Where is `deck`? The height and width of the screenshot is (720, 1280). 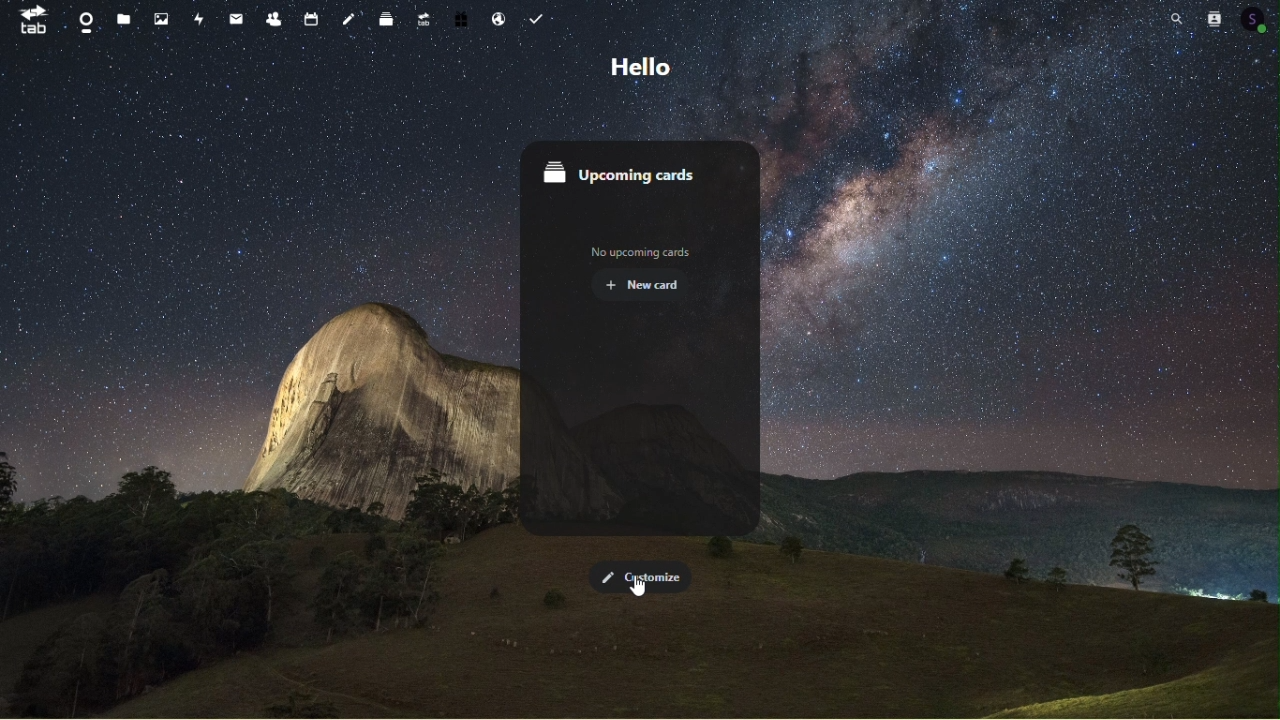
deck is located at coordinates (382, 19).